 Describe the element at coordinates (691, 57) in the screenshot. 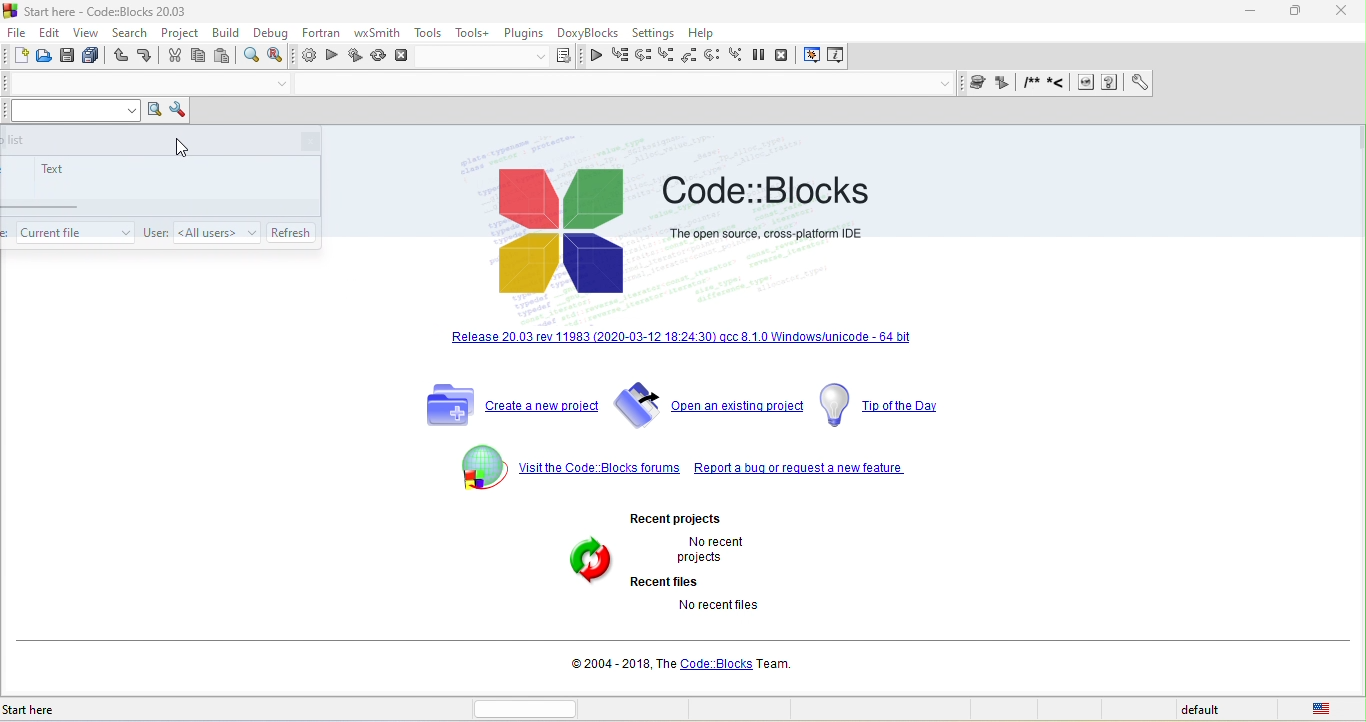

I see `step out` at that location.